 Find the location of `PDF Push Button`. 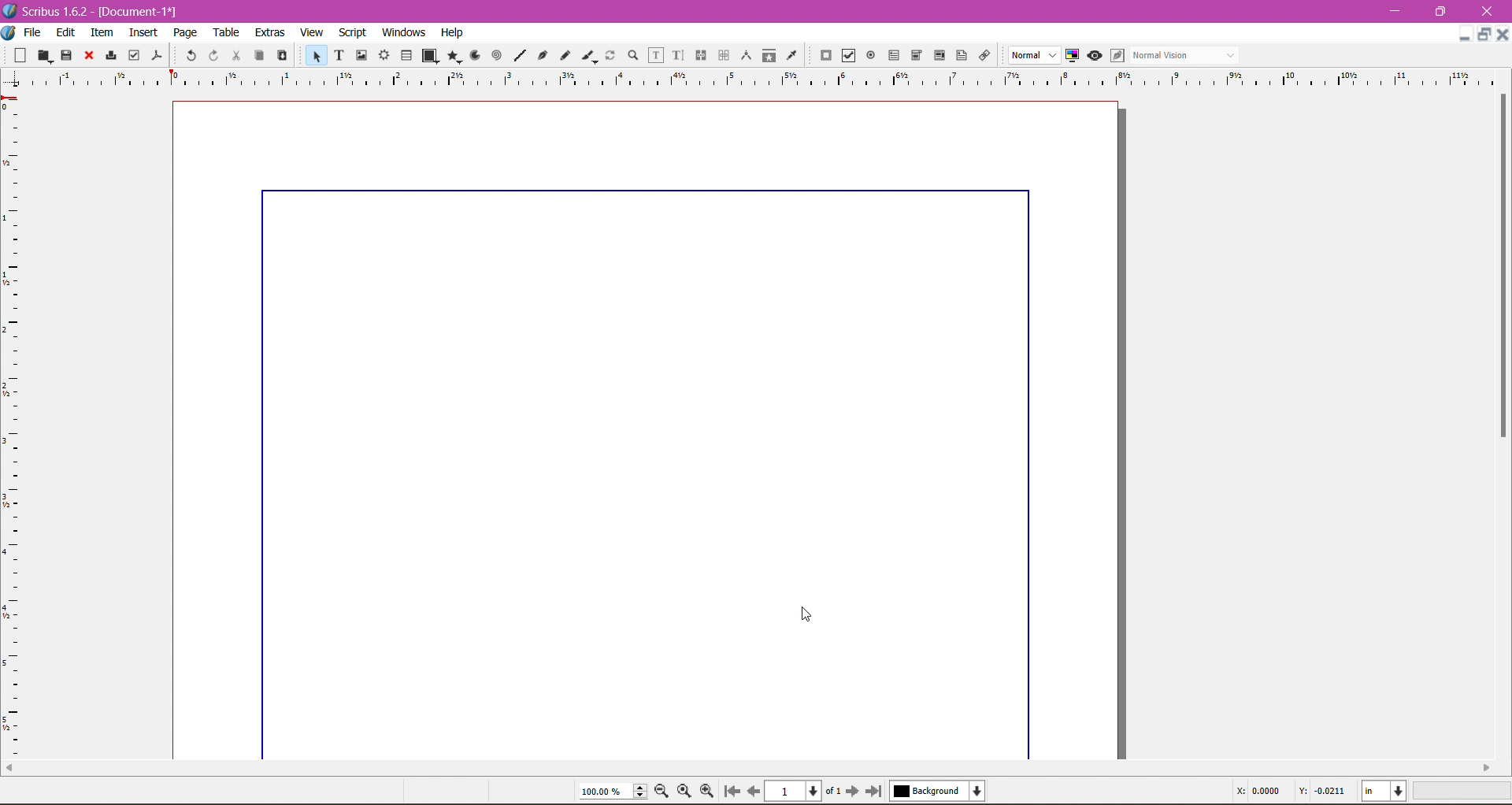

PDF Push Button is located at coordinates (825, 56).